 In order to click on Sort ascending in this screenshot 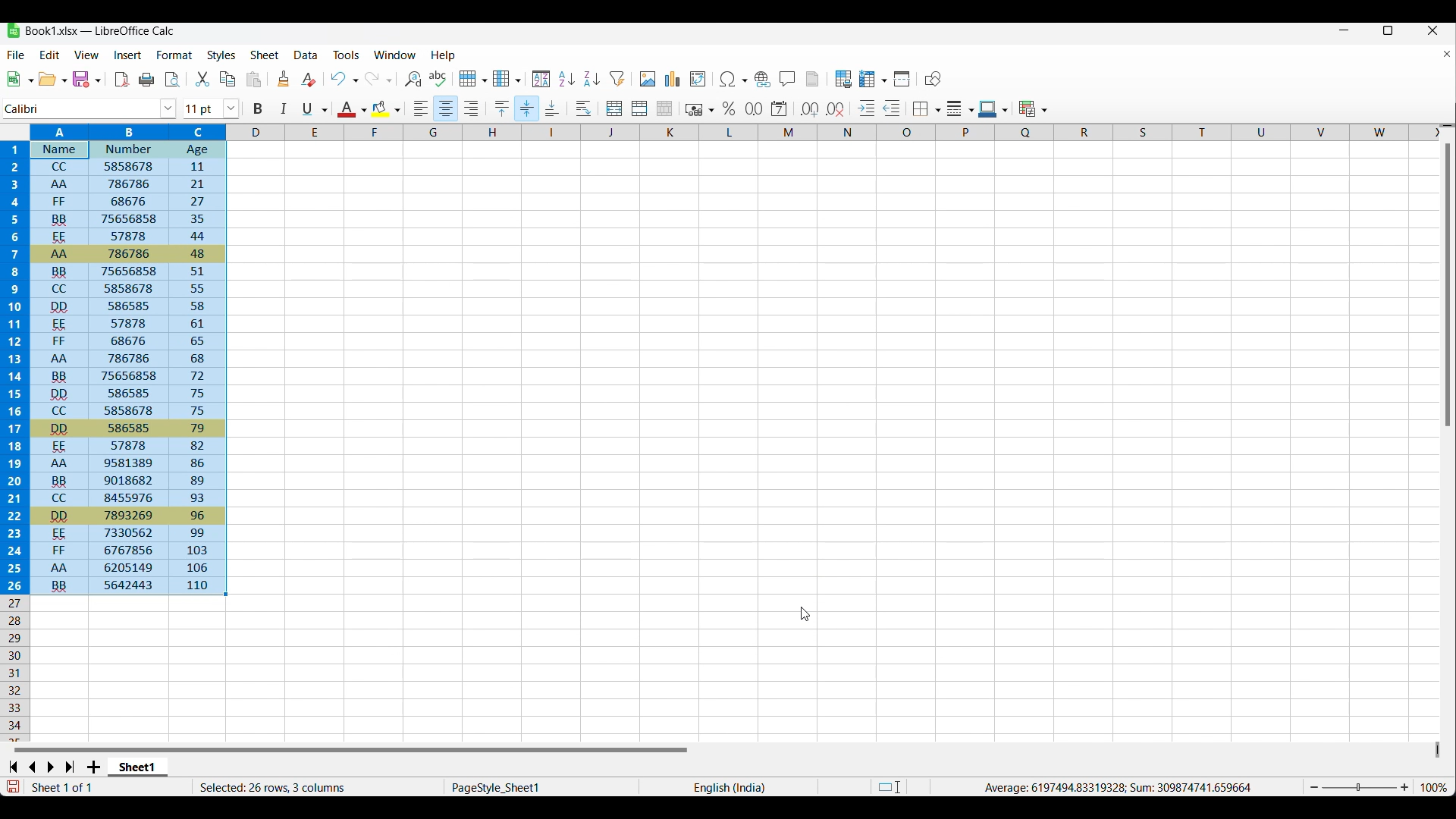, I will do `click(592, 79)`.